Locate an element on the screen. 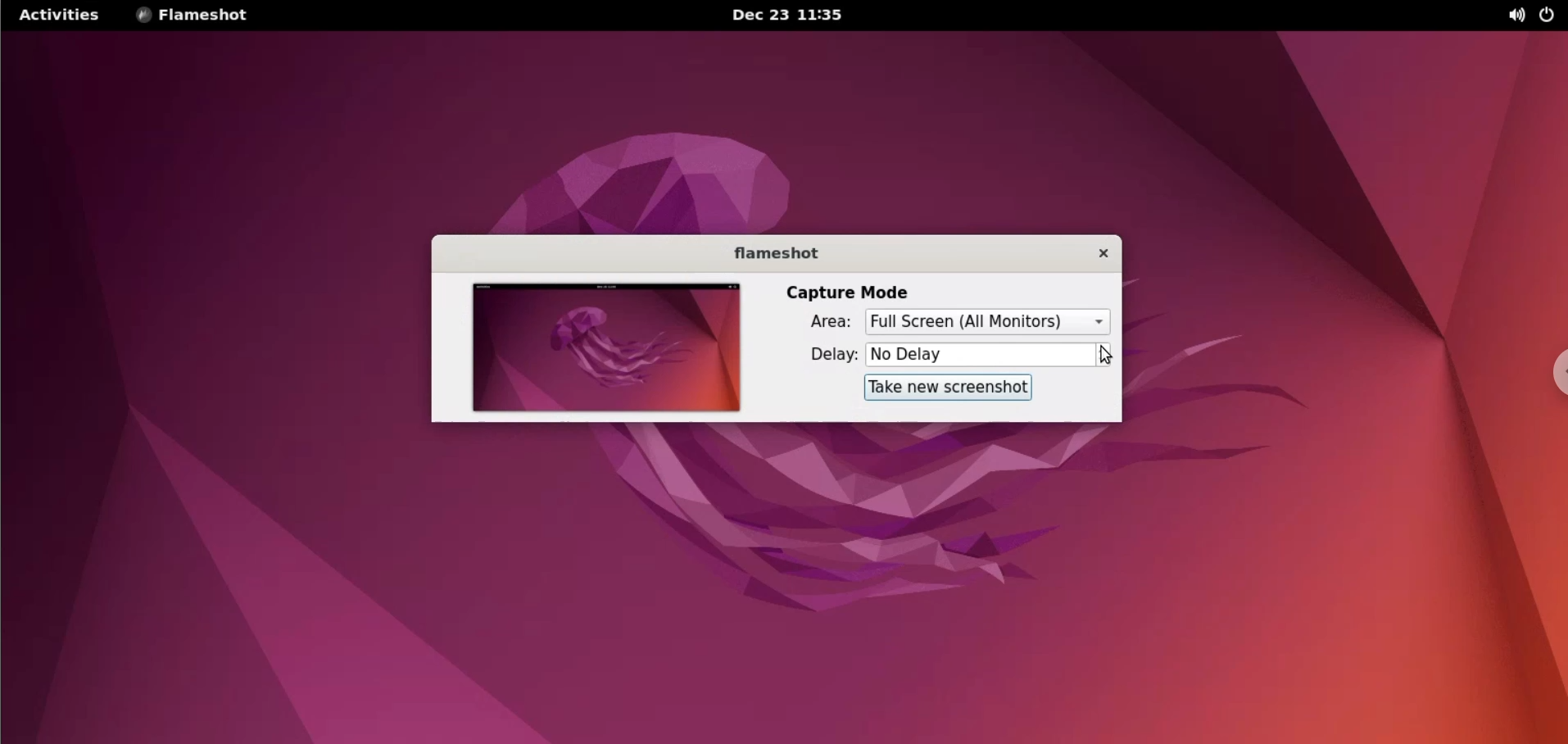  Dec 23 11:35 is located at coordinates (797, 15).